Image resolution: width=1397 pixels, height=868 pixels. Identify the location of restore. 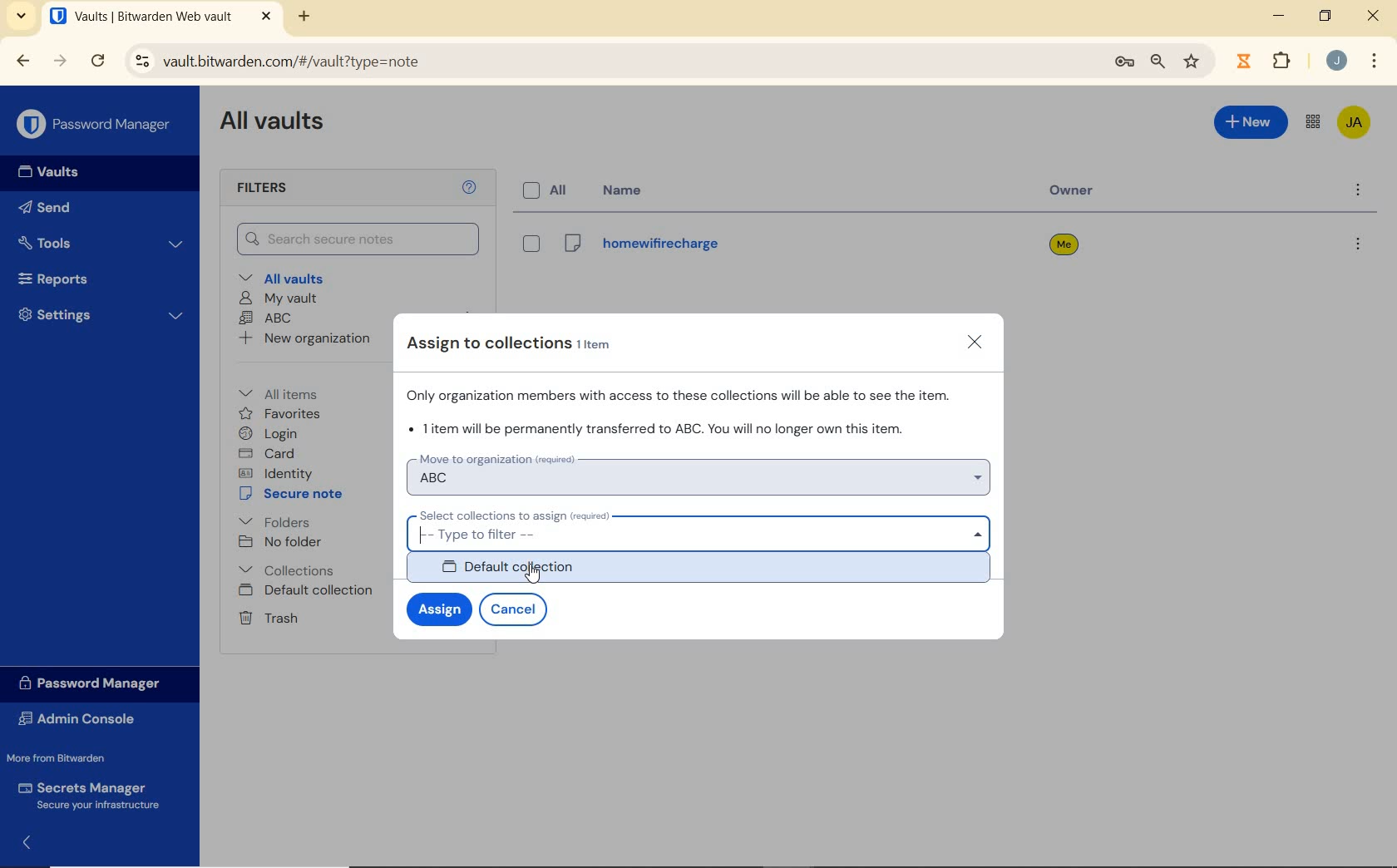
(1325, 16).